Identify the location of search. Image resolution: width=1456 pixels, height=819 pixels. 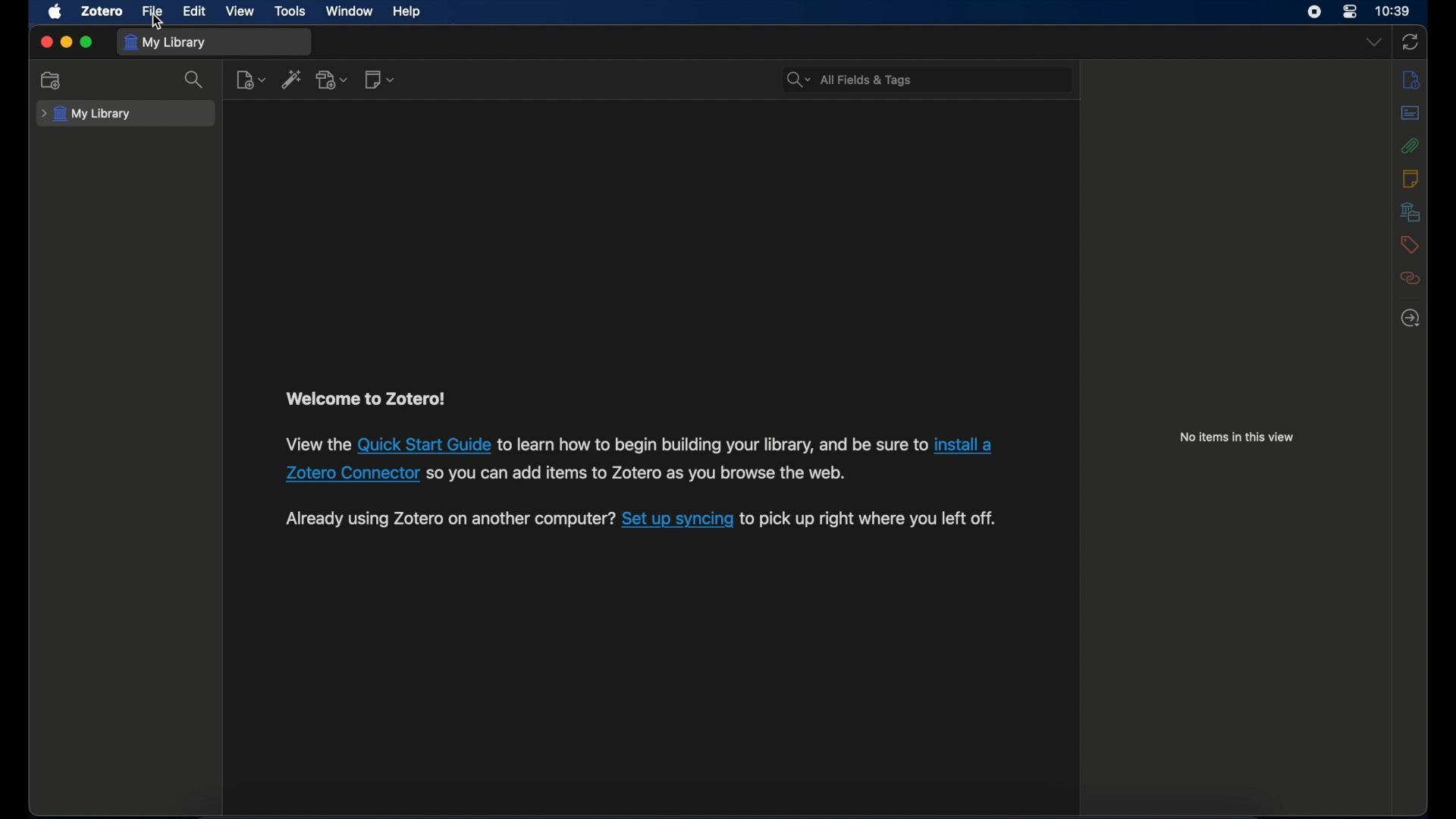
(196, 80).